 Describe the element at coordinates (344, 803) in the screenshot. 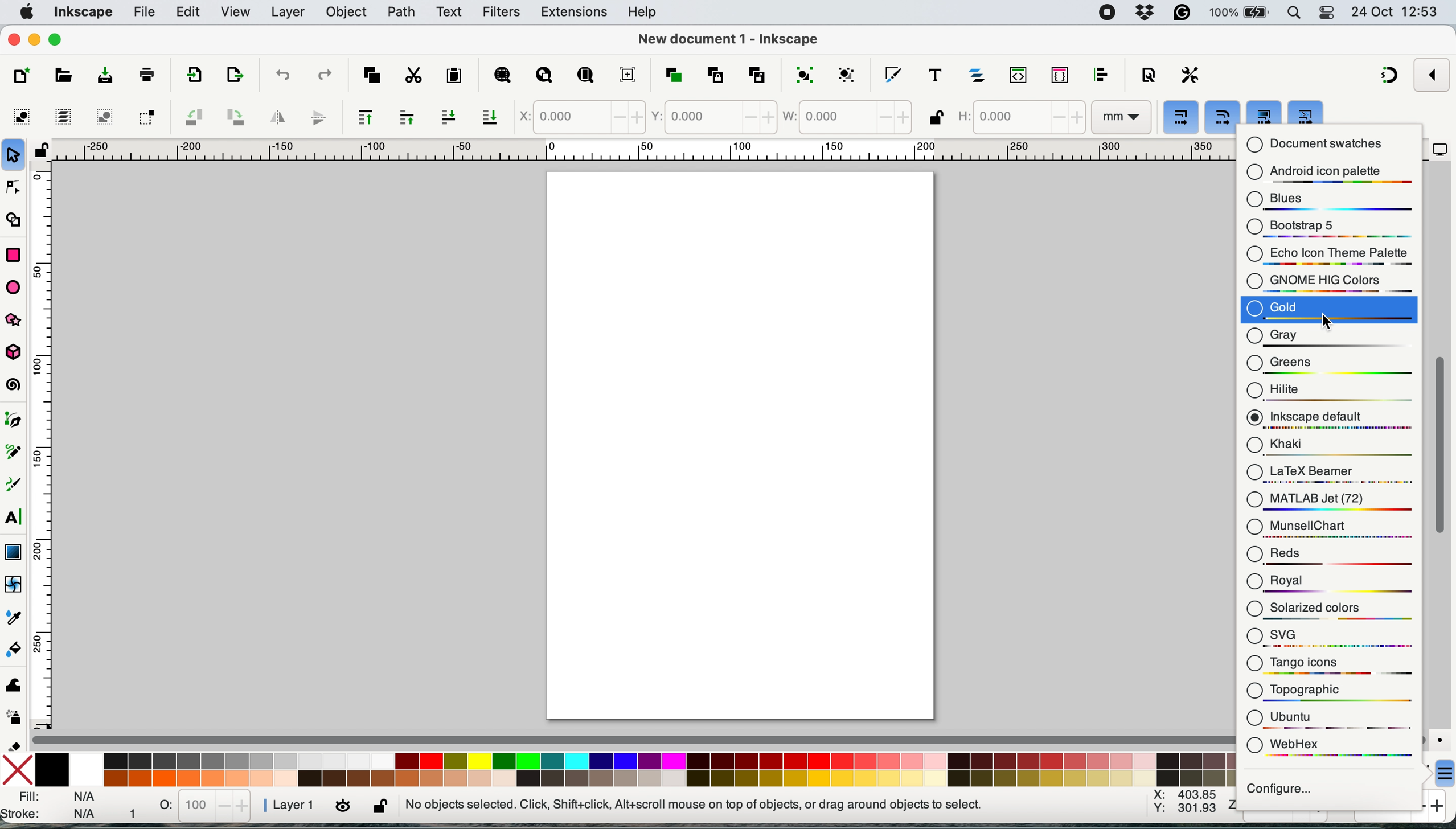

I see `toggle visibility of current layer` at that location.